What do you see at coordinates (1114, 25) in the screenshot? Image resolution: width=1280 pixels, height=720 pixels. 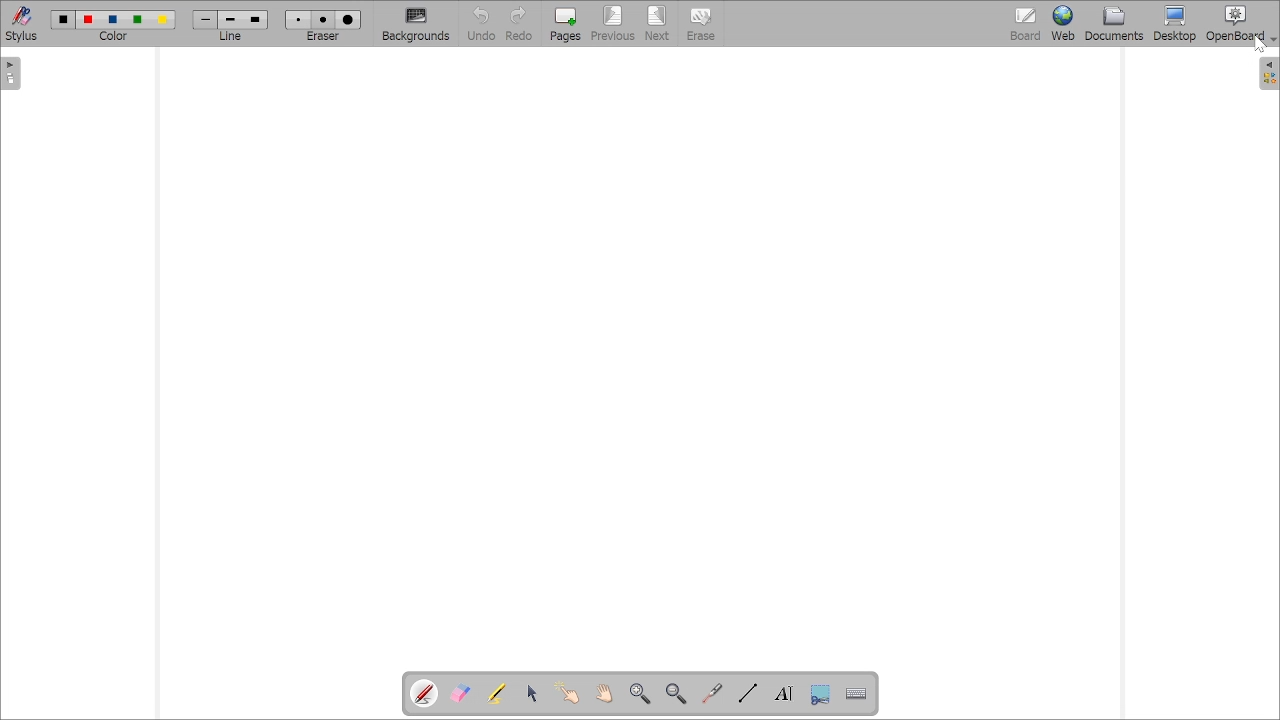 I see `Documents` at bounding box center [1114, 25].